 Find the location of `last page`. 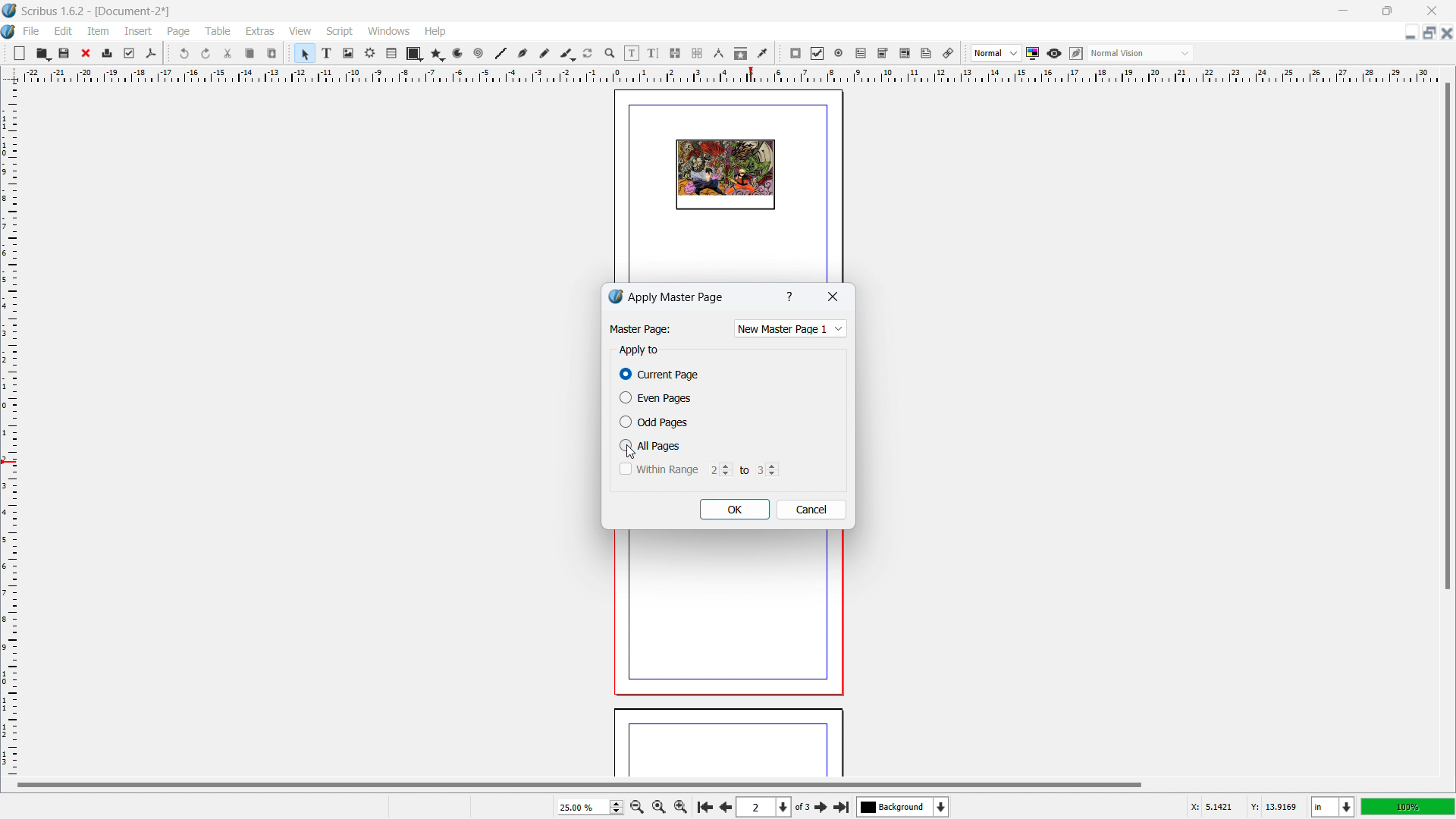

last page is located at coordinates (841, 805).